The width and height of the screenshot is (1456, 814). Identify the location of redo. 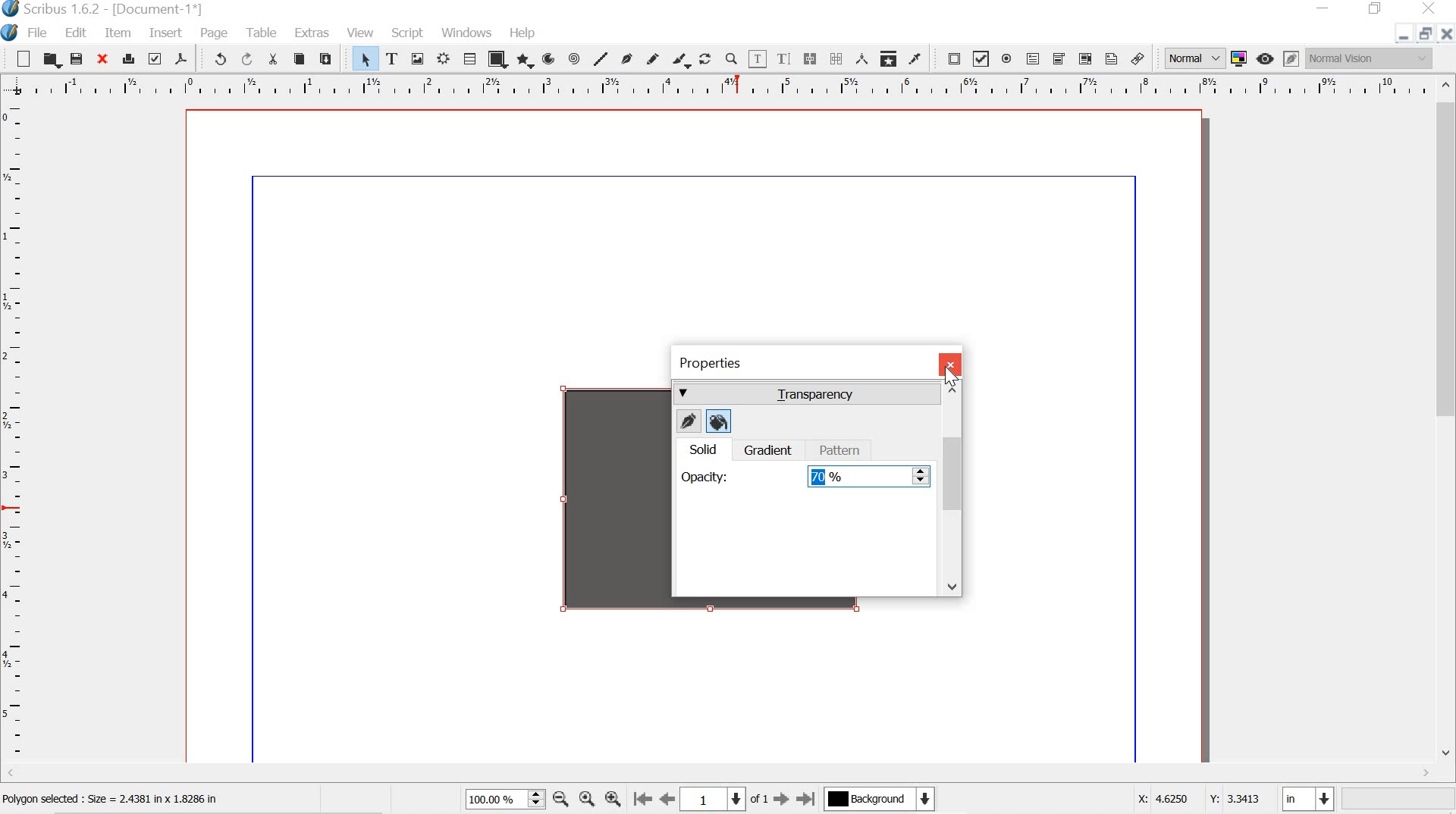
(250, 60).